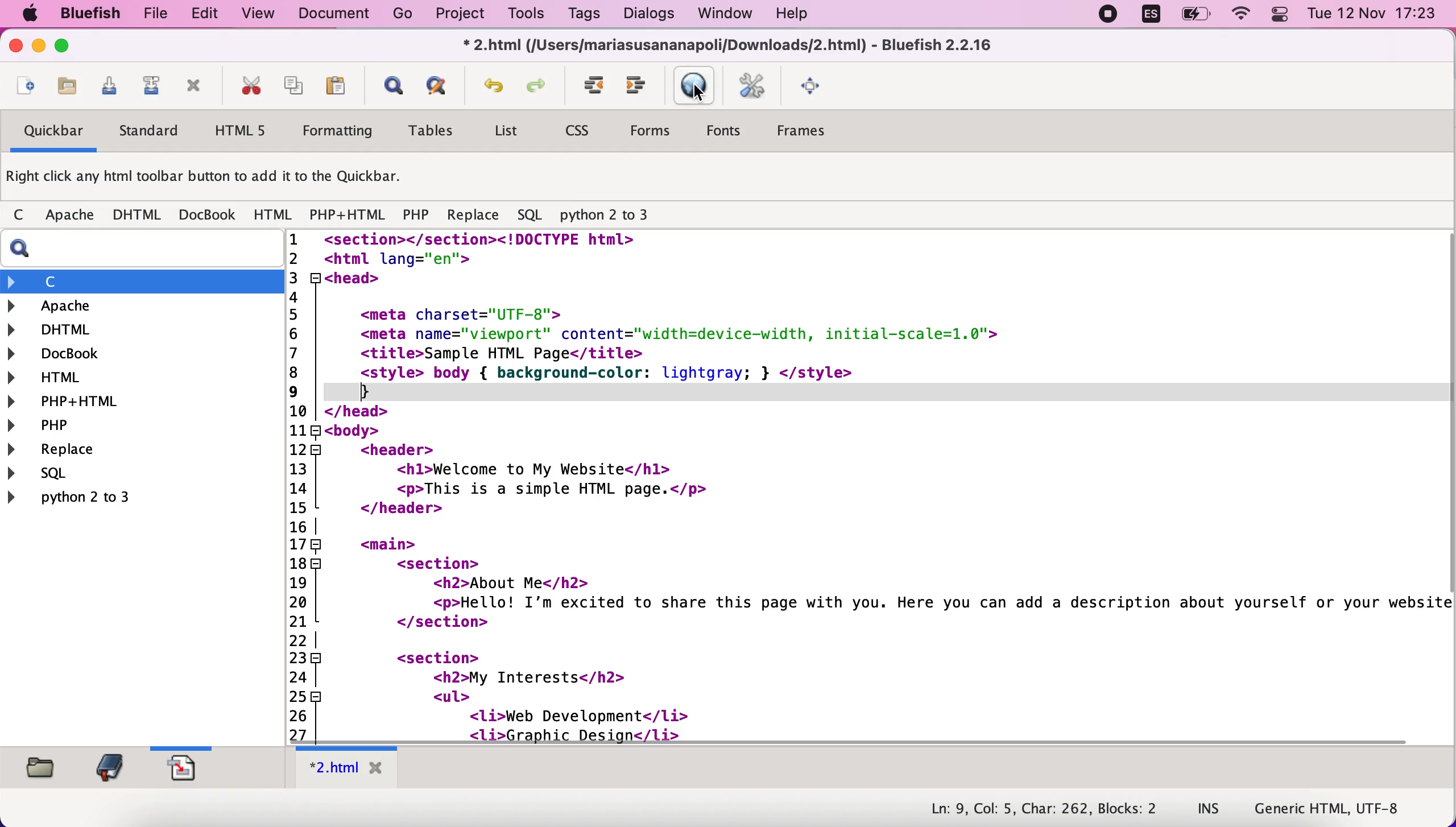 The height and width of the screenshot is (827, 1456). I want to click on php+html, so click(135, 402).